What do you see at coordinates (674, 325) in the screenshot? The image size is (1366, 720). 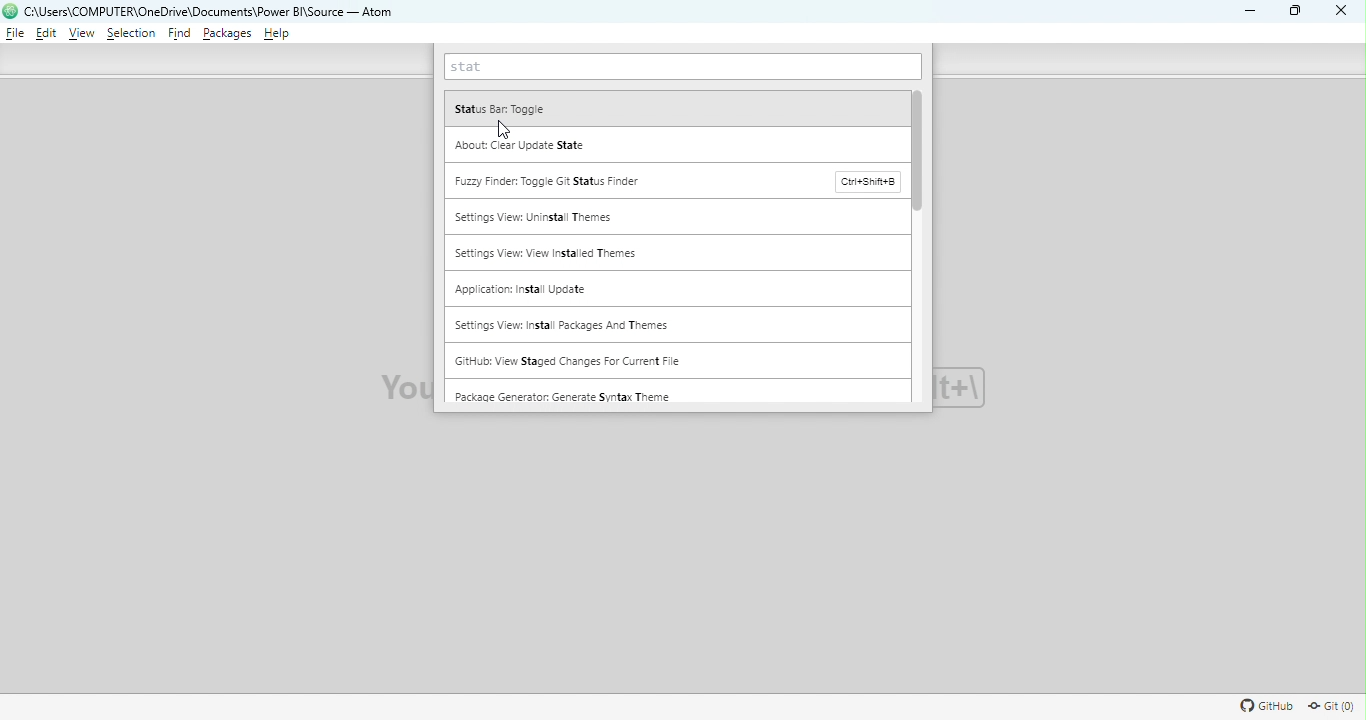 I see `Settings view: Install packages and themes` at bounding box center [674, 325].